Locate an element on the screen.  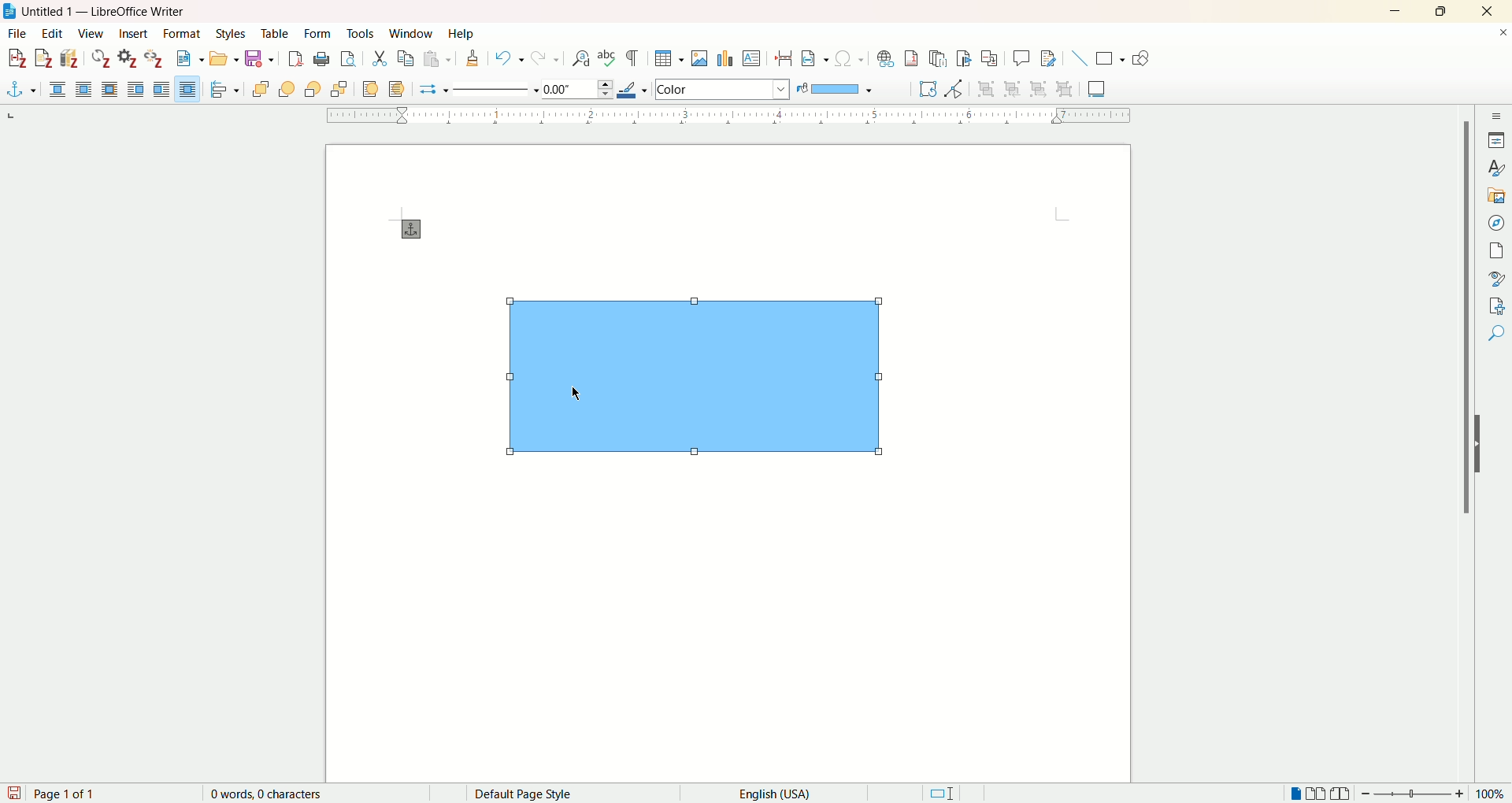
view is located at coordinates (93, 32).